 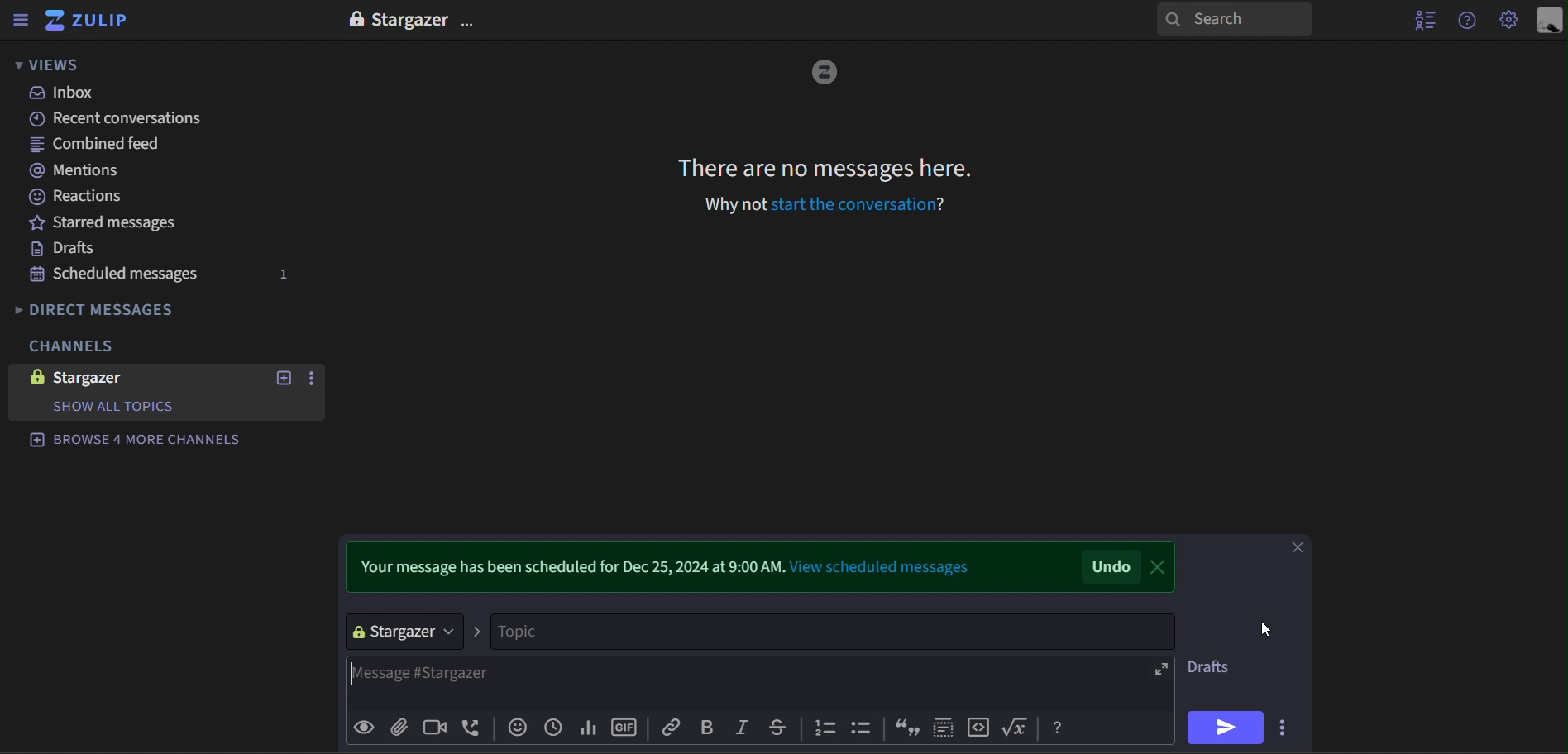 What do you see at coordinates (118, 250) in the screenshot?
I see `drafts` at bounding box center [118, 250].